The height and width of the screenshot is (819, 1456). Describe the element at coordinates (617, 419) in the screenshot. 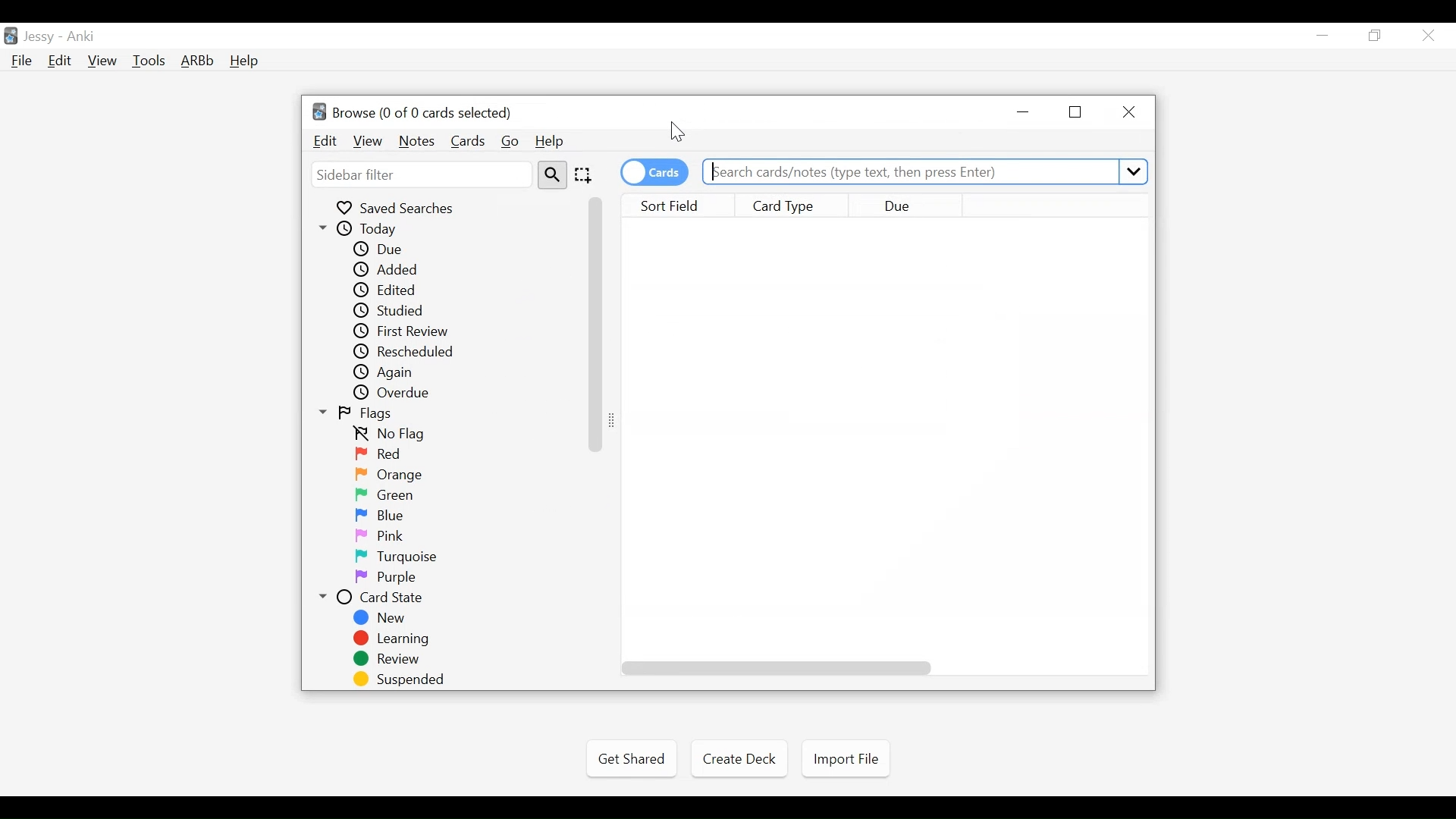

I see `Resize` at that location.